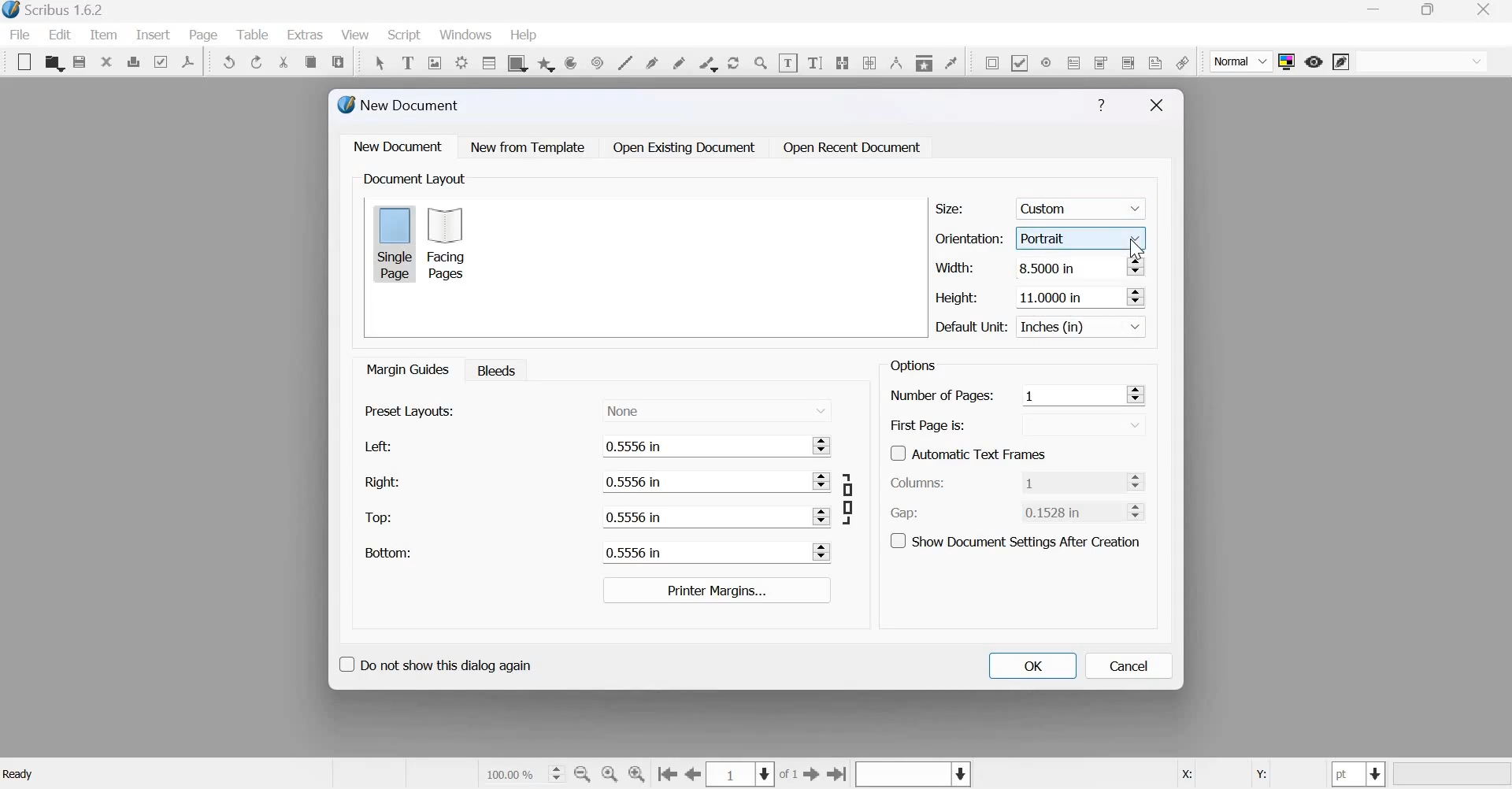 The width and height of the screenshot is (1512, 789). Describe the element at coordinates (838, 773) in the screenshot. I see `Go to the last page` at that location.